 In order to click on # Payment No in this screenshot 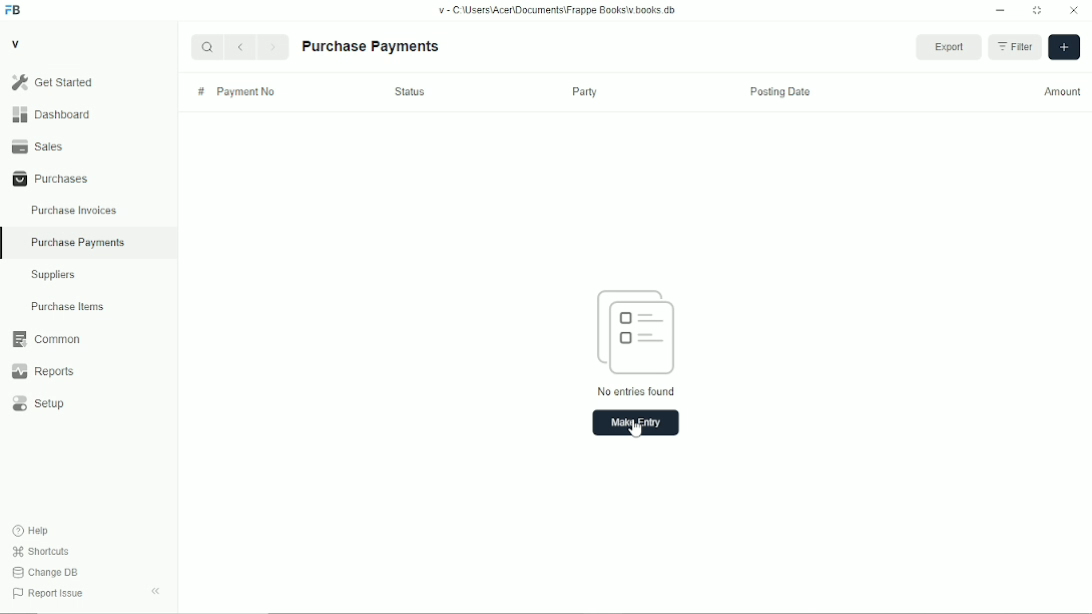, I will do `click(237, 91)`.